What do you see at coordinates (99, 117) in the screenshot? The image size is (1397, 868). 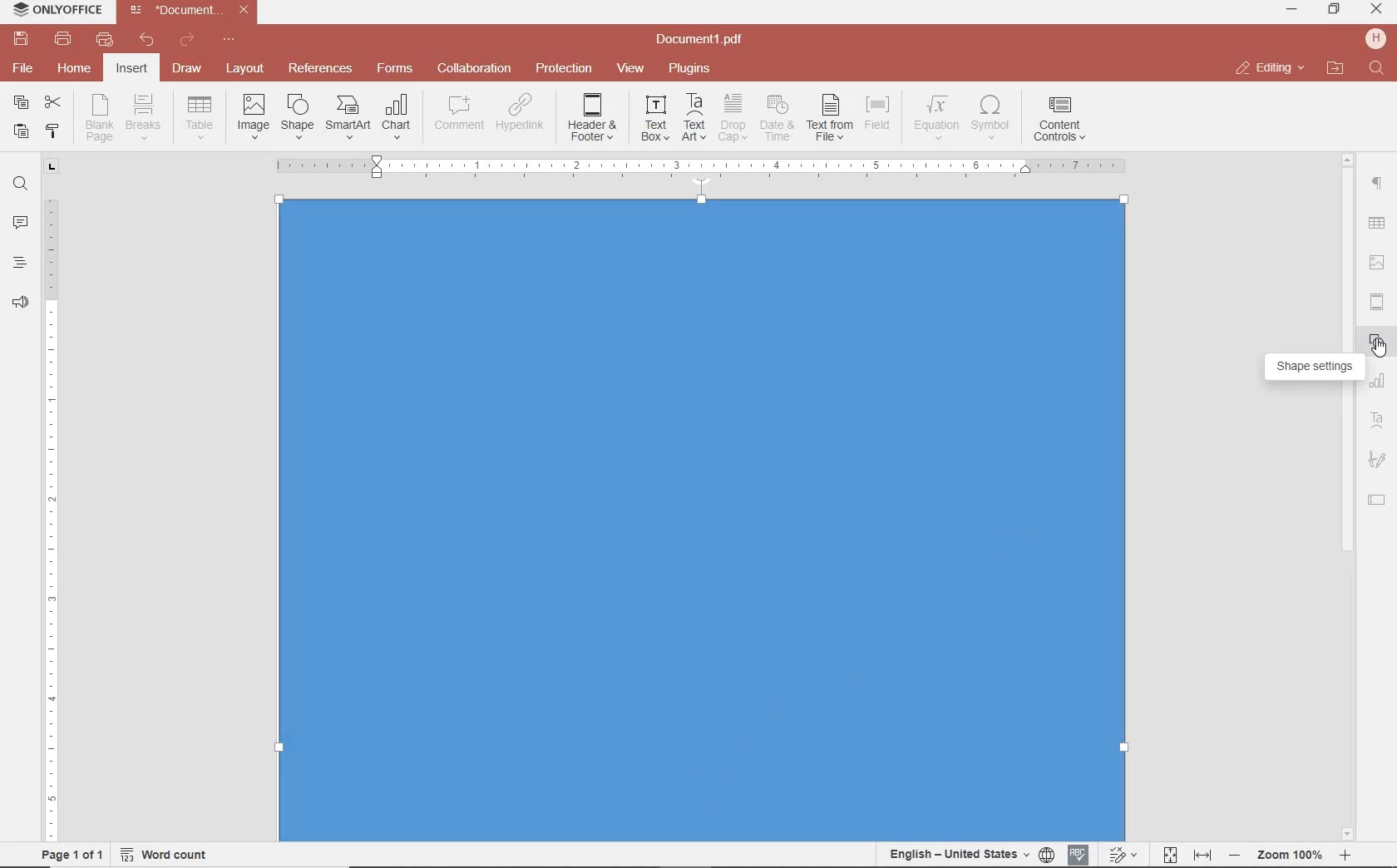 I see `INSERT BLANK PAGE` at bounding box center [99, 117].